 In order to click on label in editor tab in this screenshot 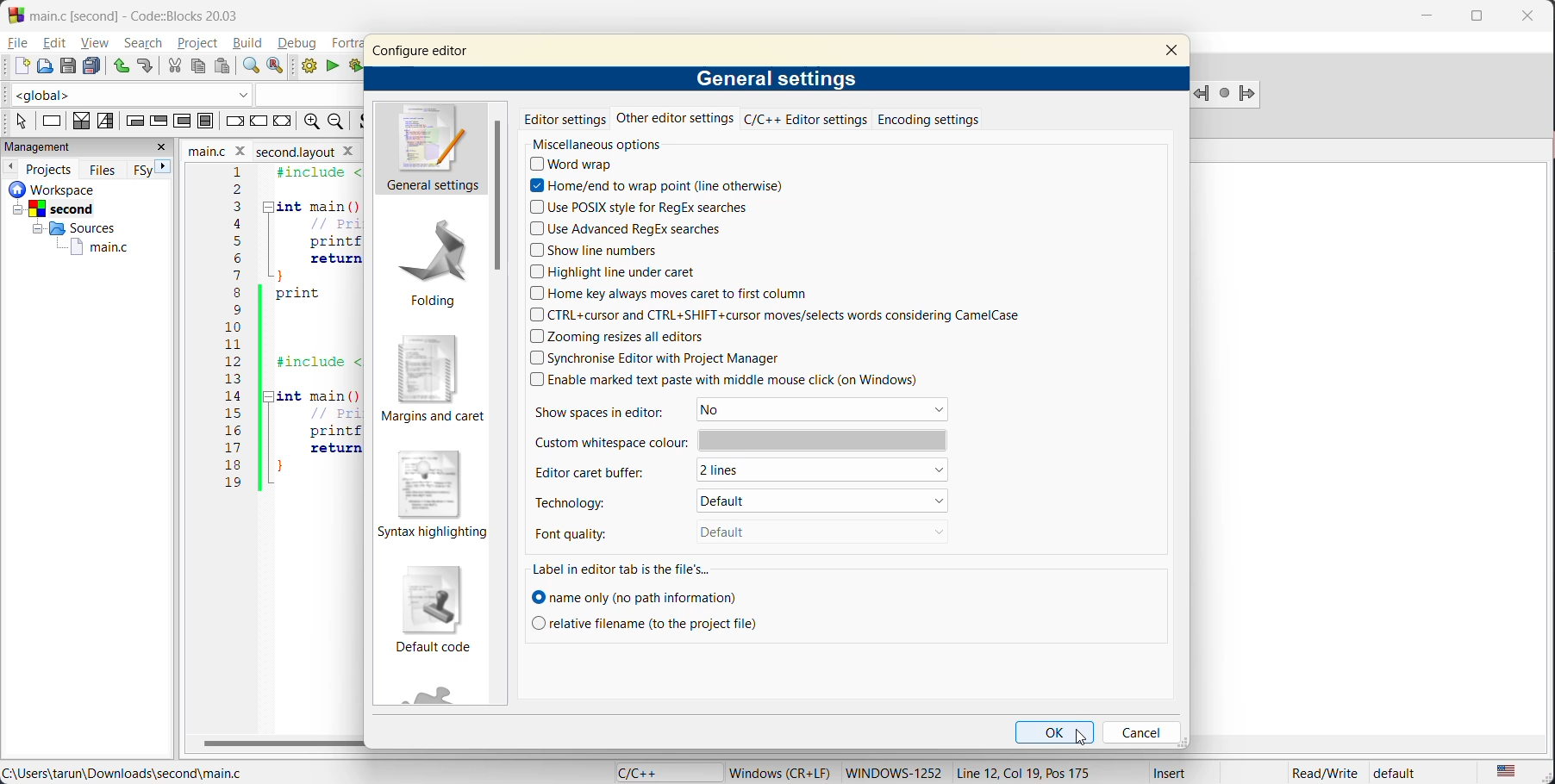, I will do `click(621, 569)`.